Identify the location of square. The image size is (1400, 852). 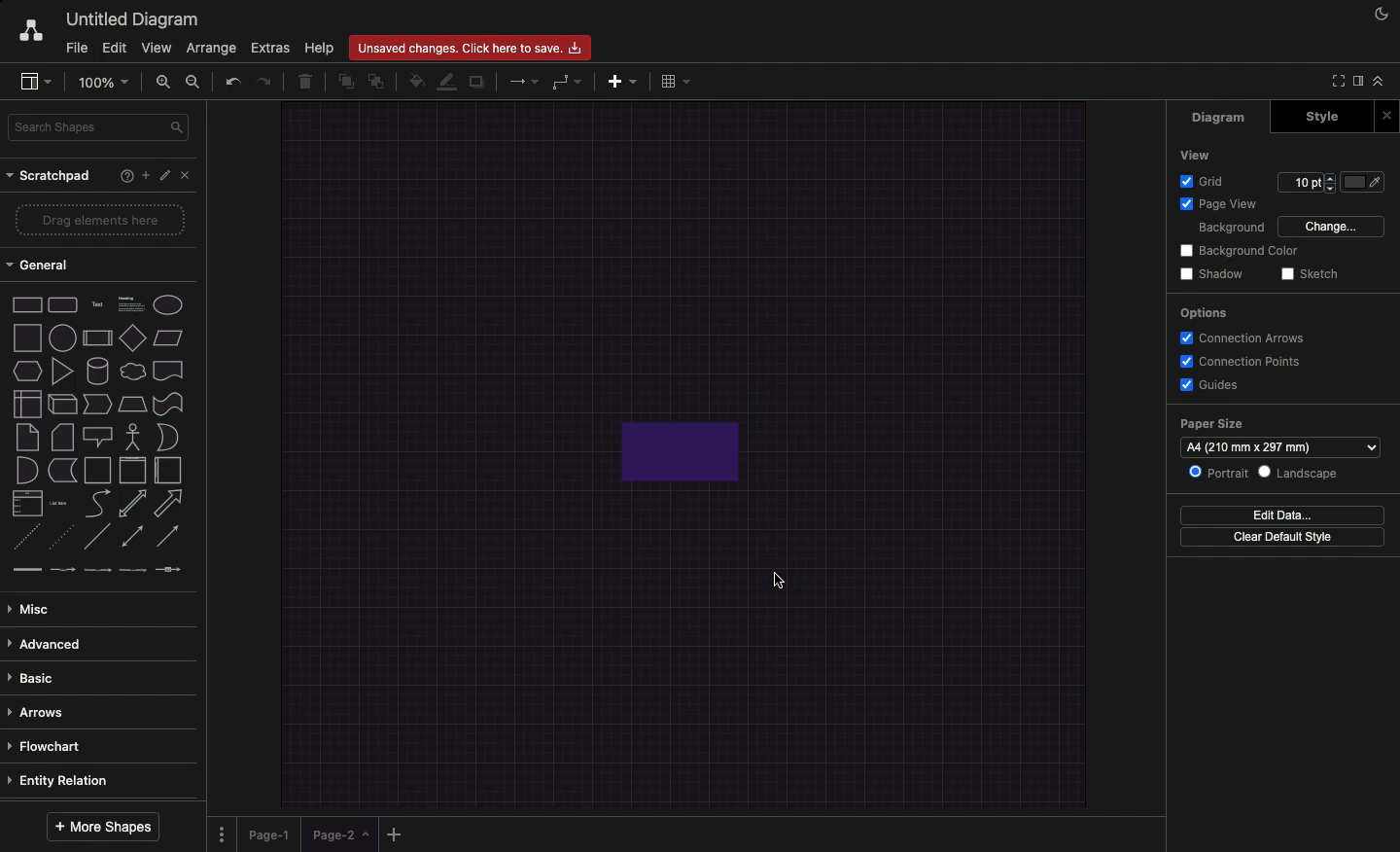
(25, 336).